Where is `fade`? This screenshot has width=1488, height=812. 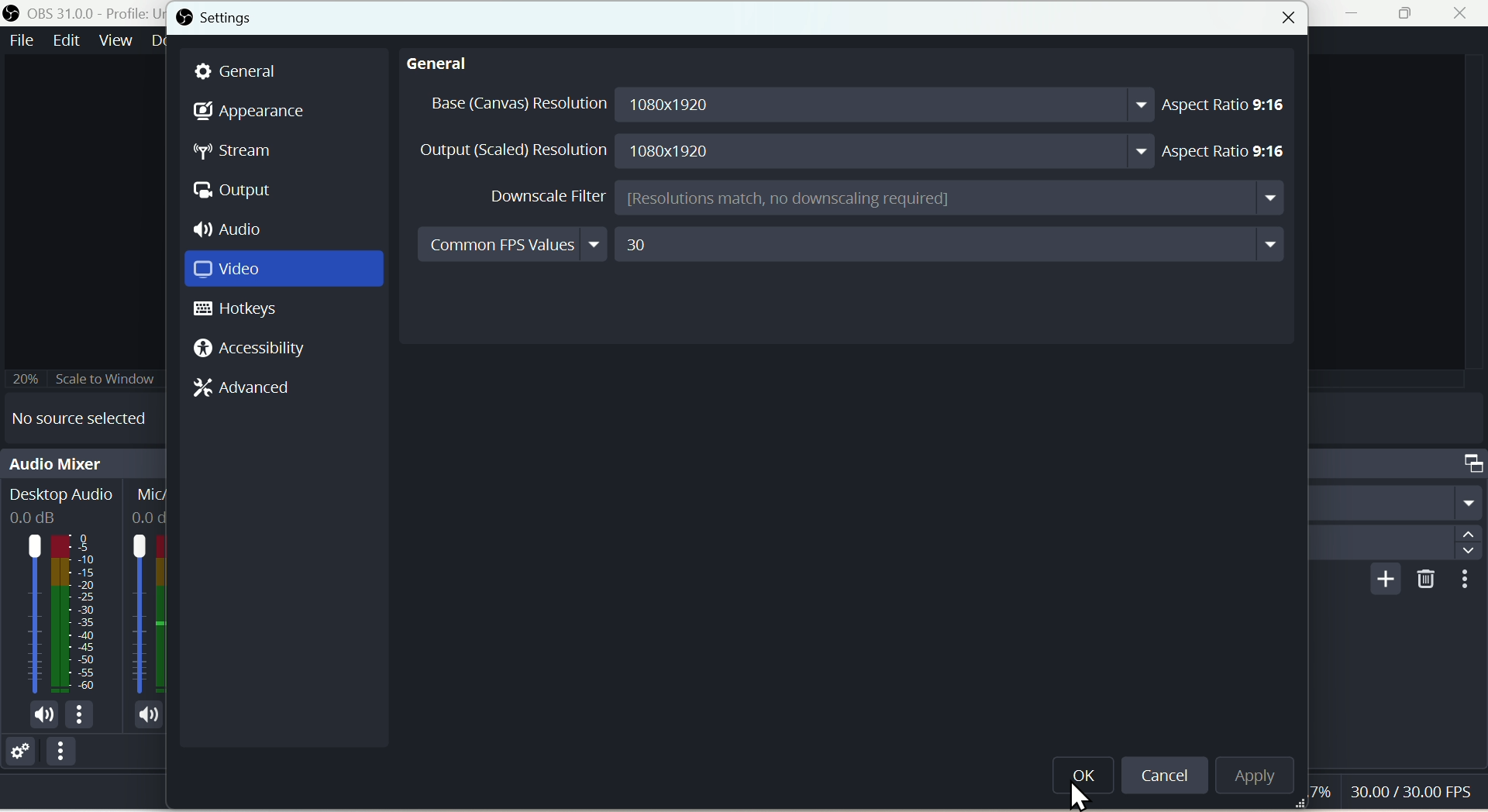
fade is located at coordinates (1397, 502).